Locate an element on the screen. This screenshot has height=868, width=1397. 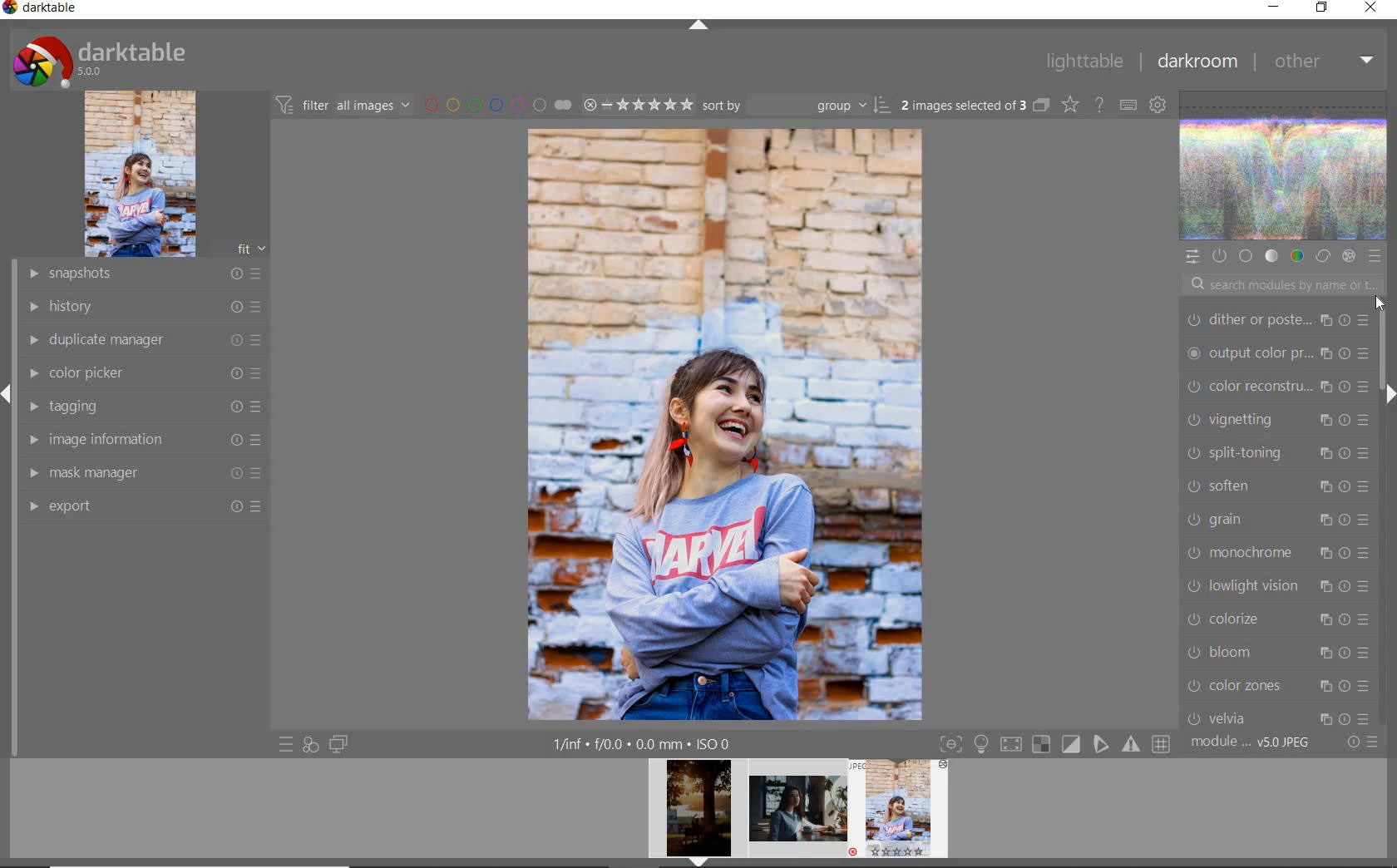
frt is located at coordinates (250, 246).